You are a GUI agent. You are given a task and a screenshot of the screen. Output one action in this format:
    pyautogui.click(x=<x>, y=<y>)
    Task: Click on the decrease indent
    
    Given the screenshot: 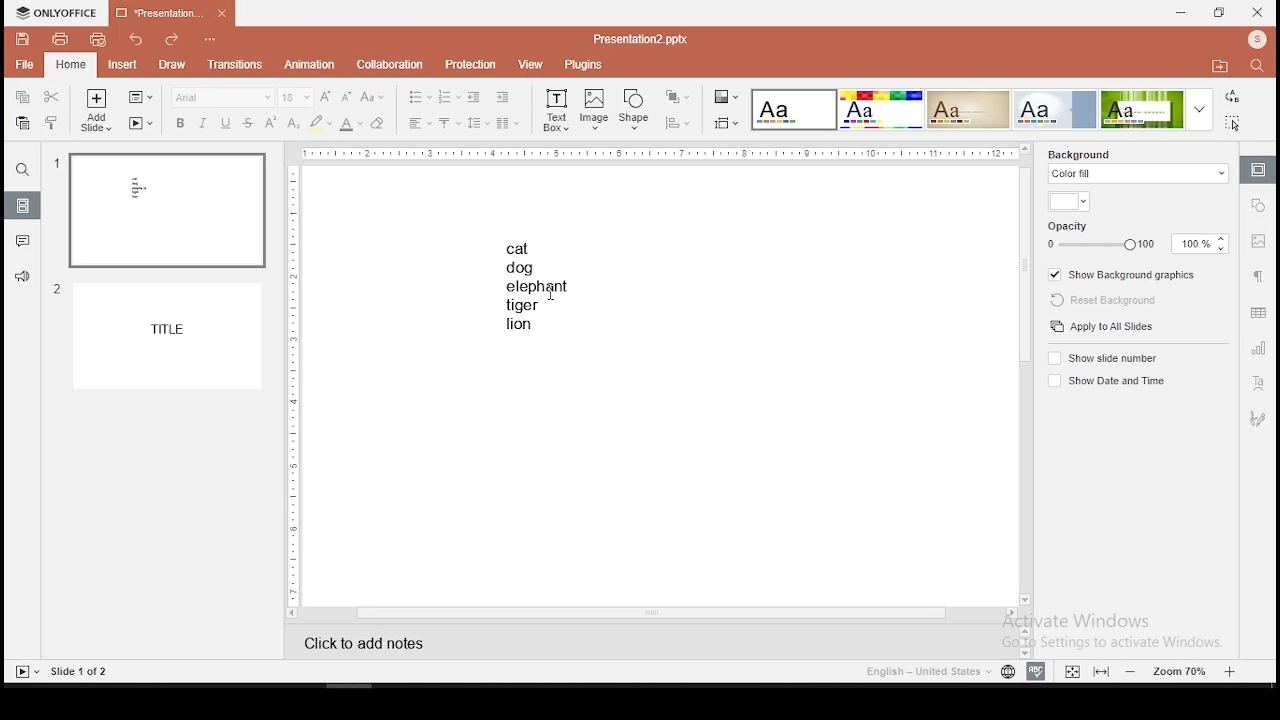 What is the action you would take?
    pyautogui.click(x=474, y=97)
    